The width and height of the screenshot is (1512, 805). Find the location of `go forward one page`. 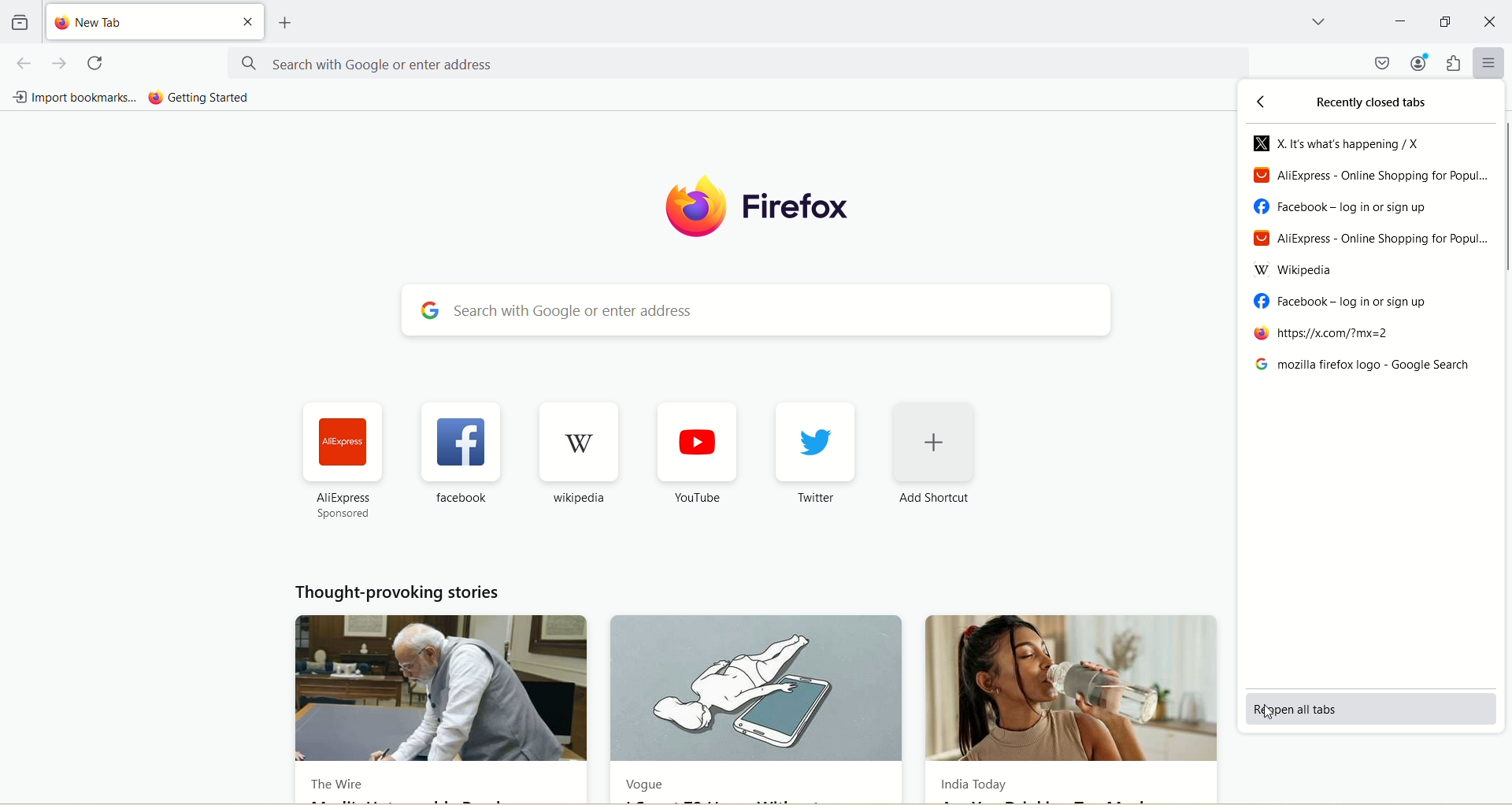

go forward one page is located at coordinates (58, 64).